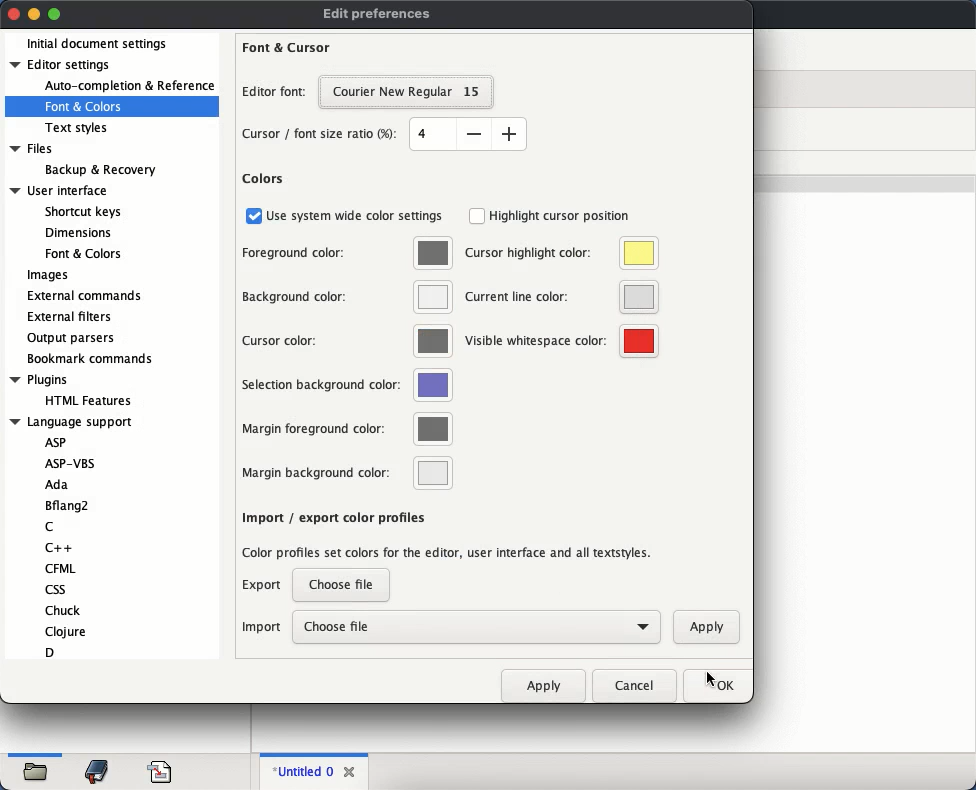 This screenshot has width=976, height=790. What do you see at coordinates (50, 652) in the screenshot?
I see `D` at bounding box center [50, 652].